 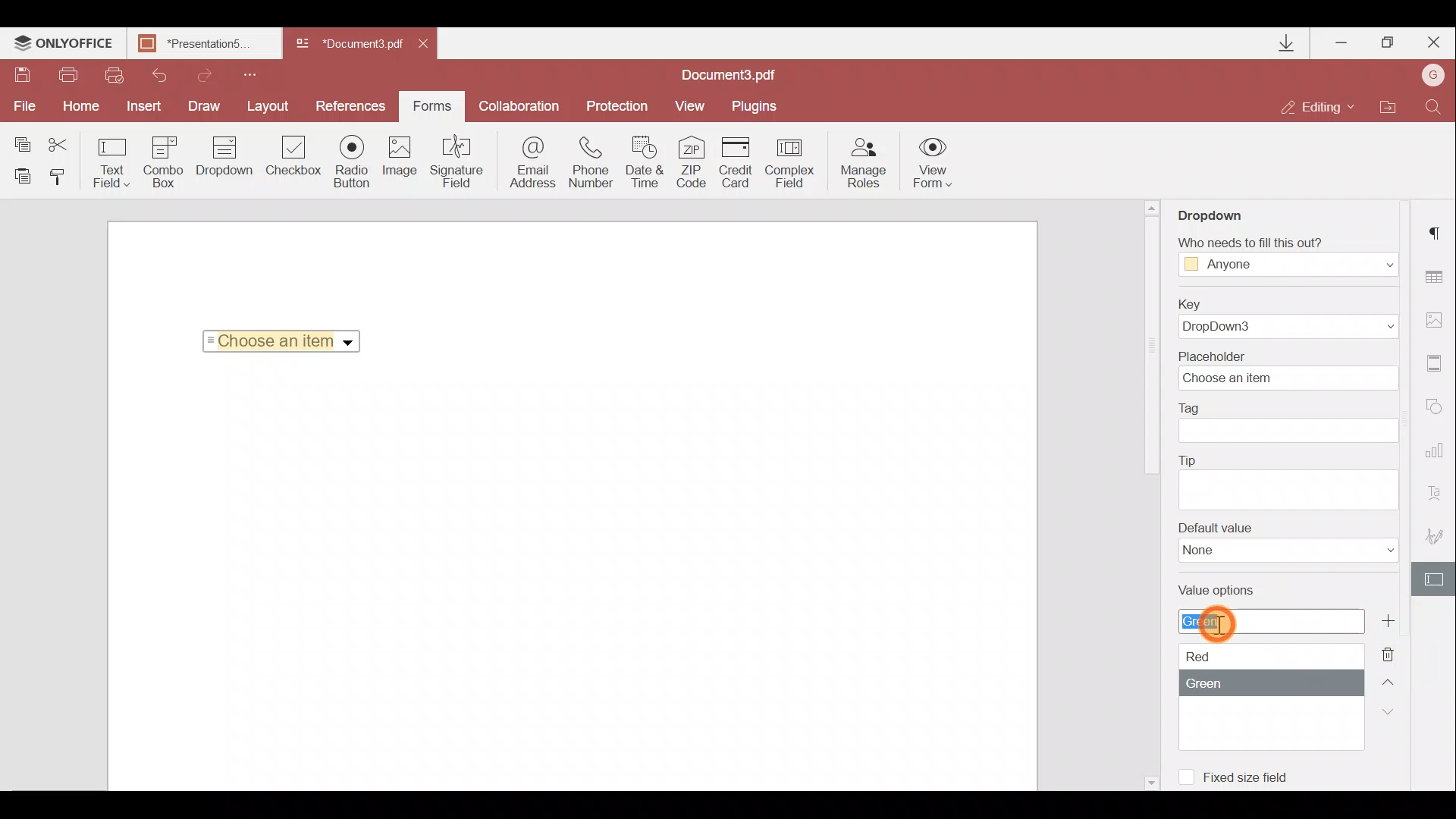 What do you see at coordinates (347, 45) in the screenshot?
I see `Document name` at bounding box center [347, 45].